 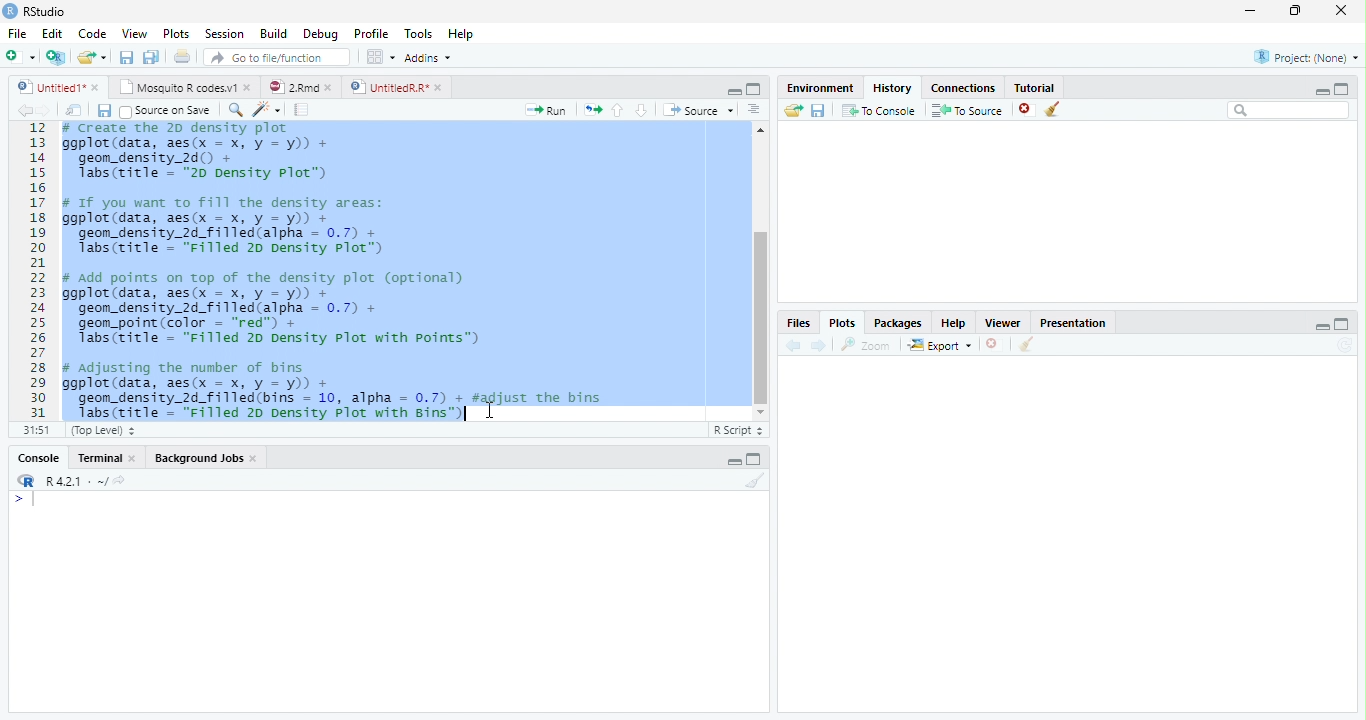 I want to click on minimize, so click(x=1323, y=326).